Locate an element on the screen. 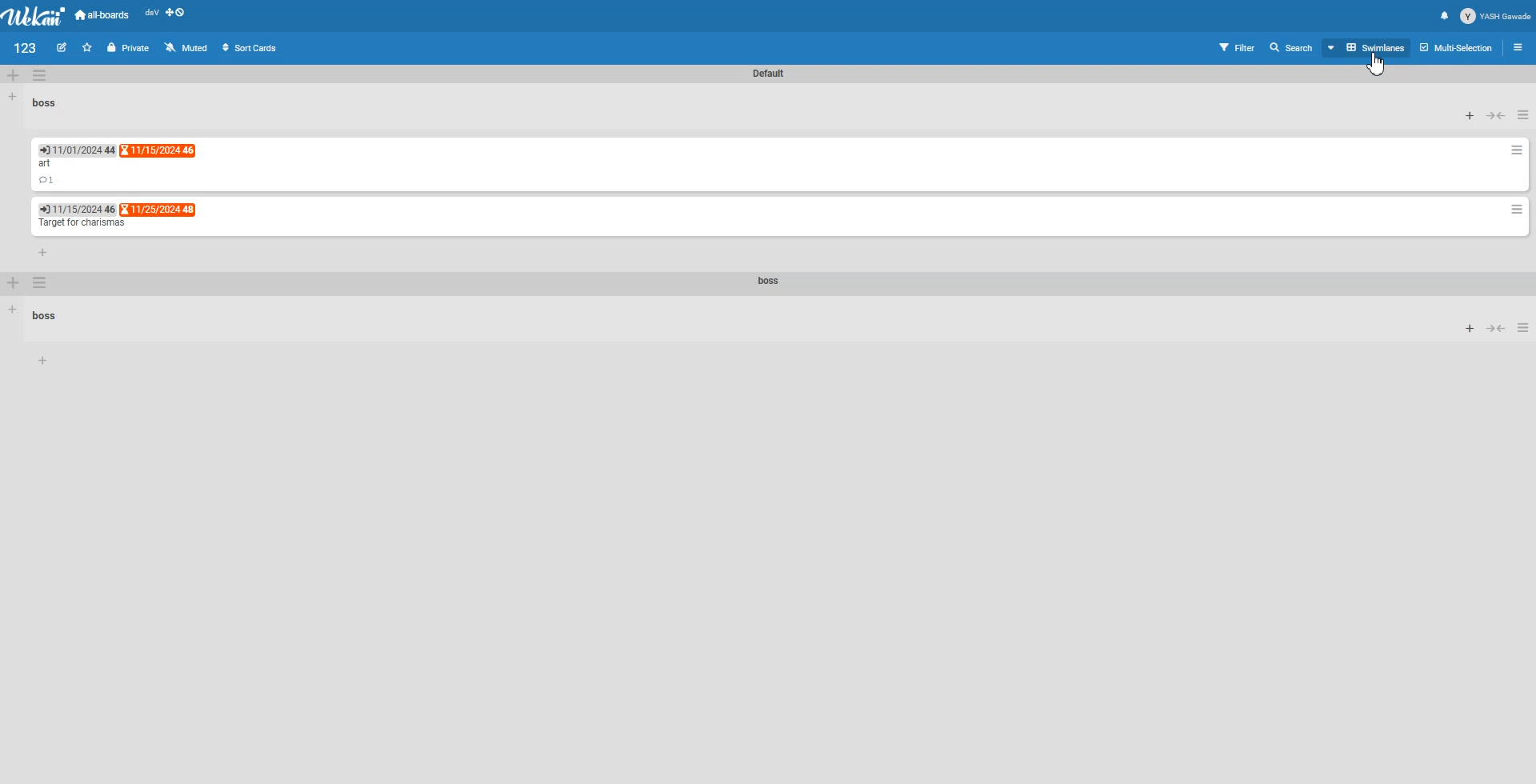 This screenshot has width=1536, height=784. End Date is located at coordinates (78, 209).